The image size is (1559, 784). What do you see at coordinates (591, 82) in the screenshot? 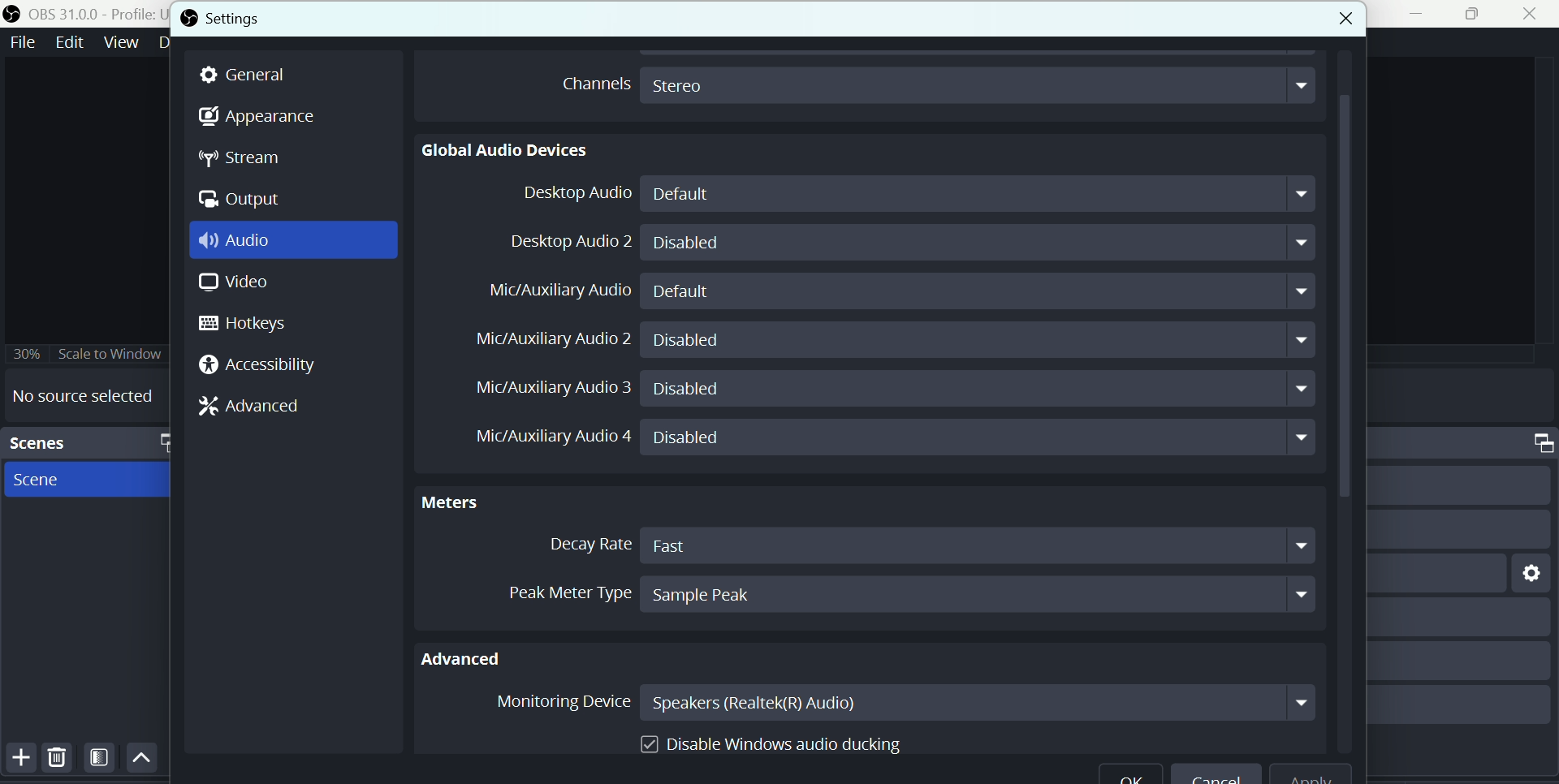
I see `Channels` at bounding box center [591, 82].